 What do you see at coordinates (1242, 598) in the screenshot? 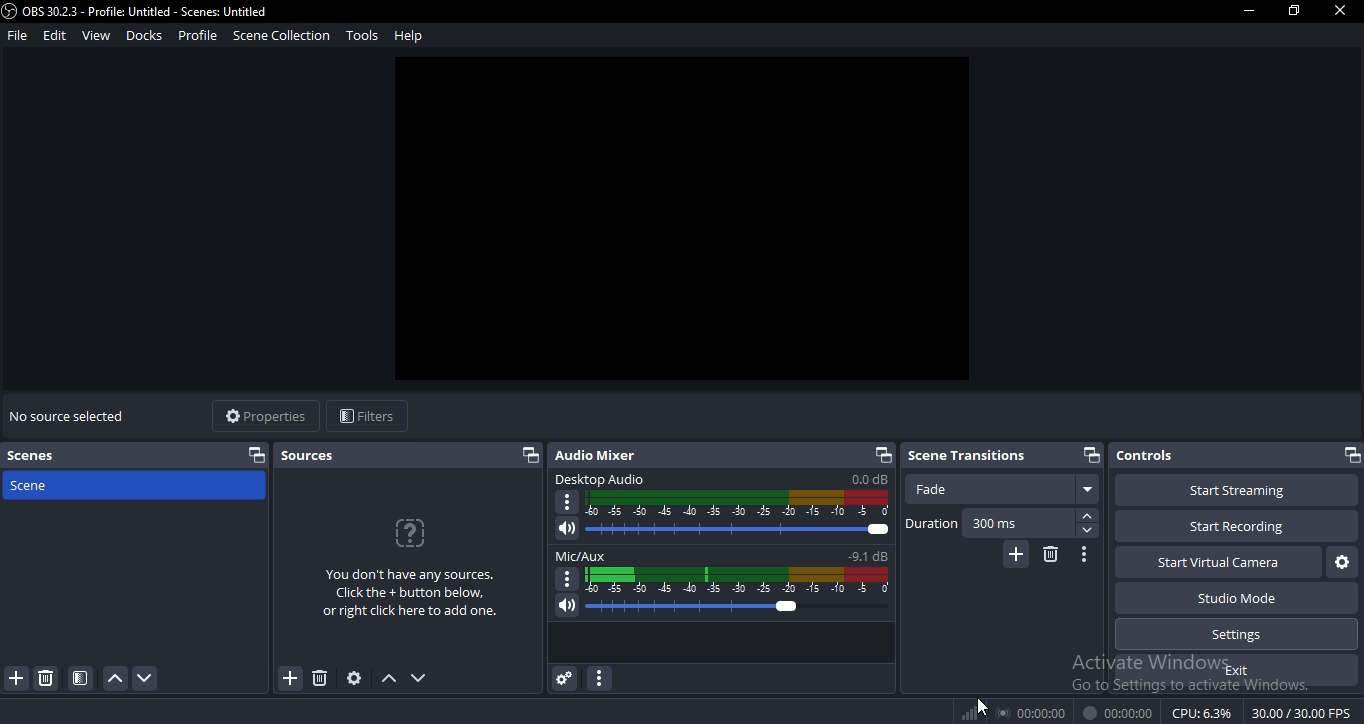
I see `studio` at bounding box center [1242, 598].